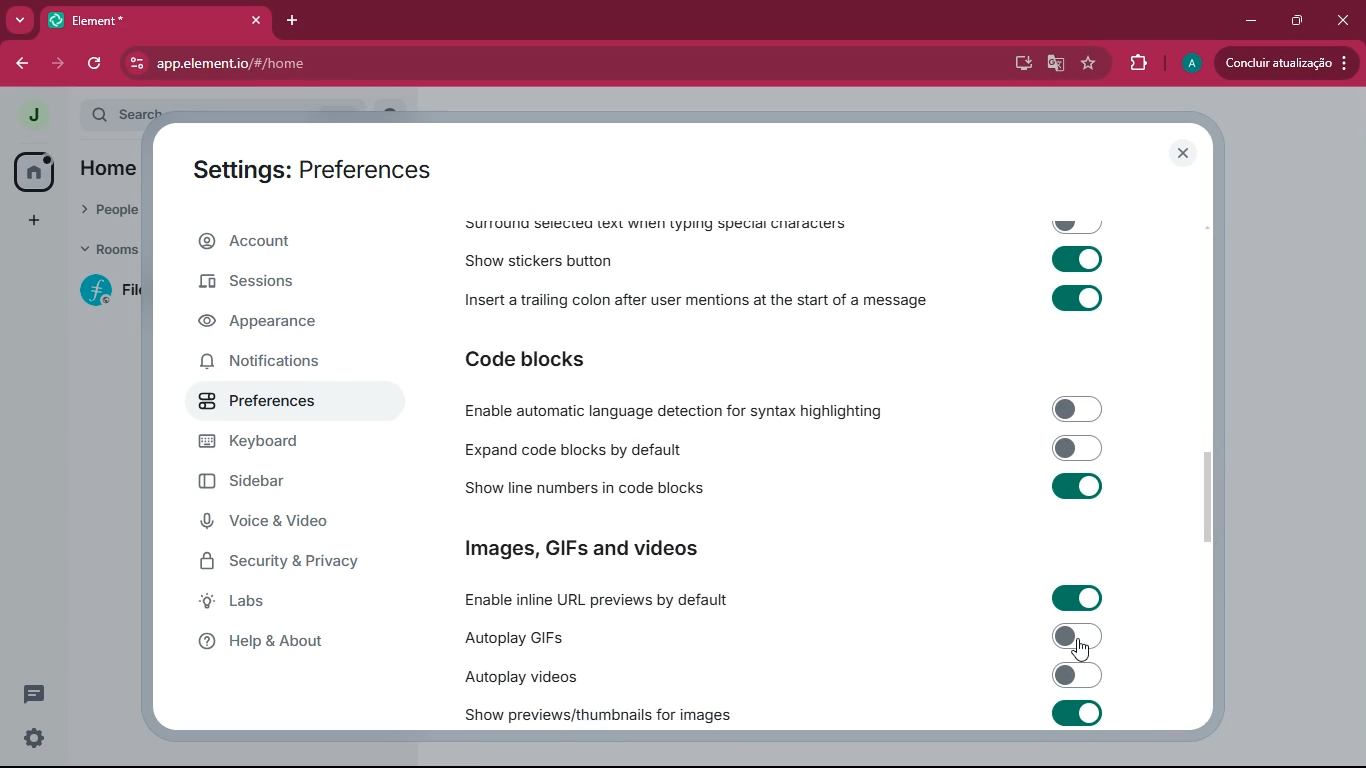 This screenshot has height=768, width=1366. Describe the element at coordinates (284, 484) in the screenshot. I see `sidebar ` at that location.